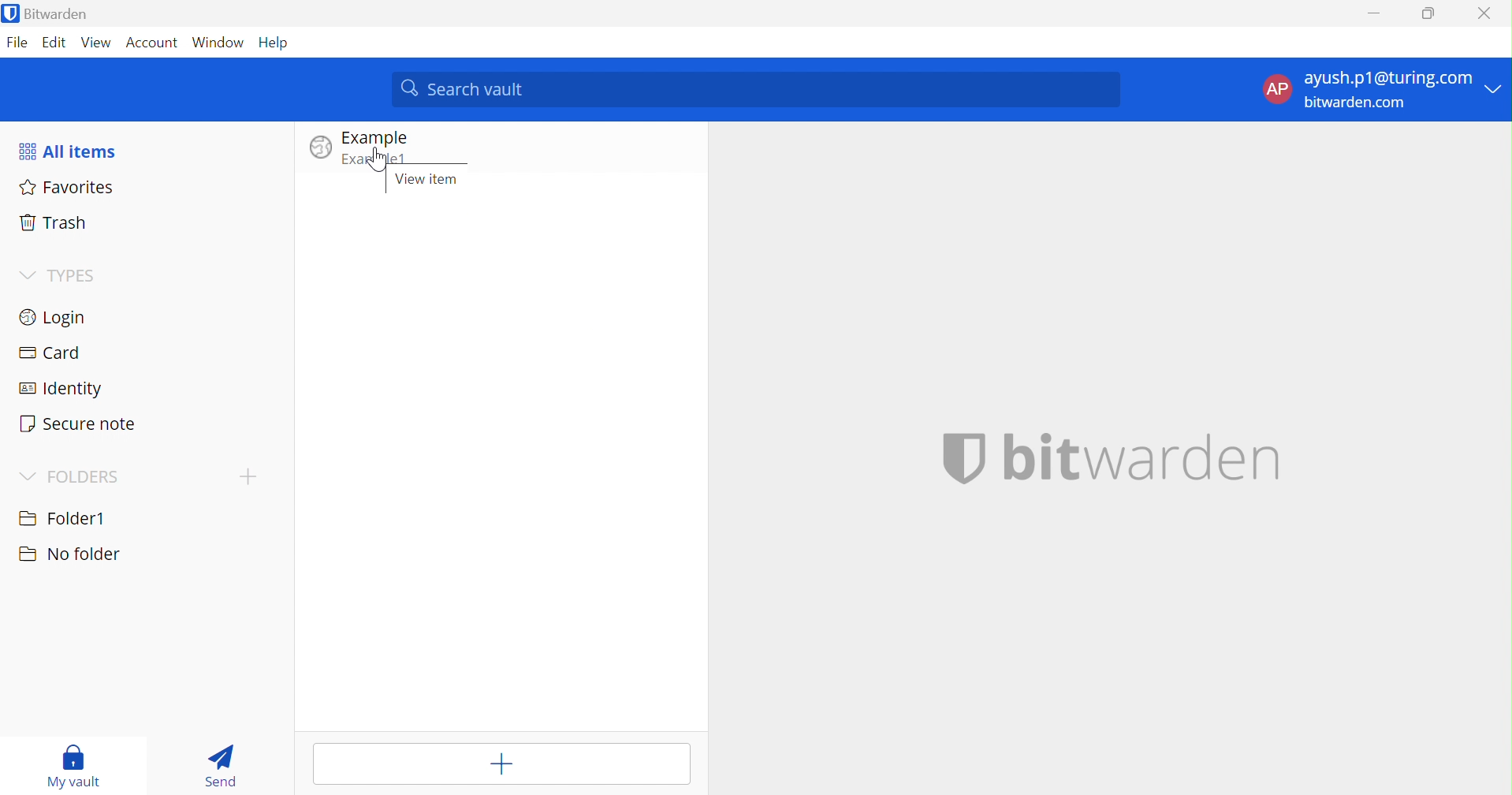  Describe the element at coordinates (50, 353) in the screenshot. I see `Card` at that location.